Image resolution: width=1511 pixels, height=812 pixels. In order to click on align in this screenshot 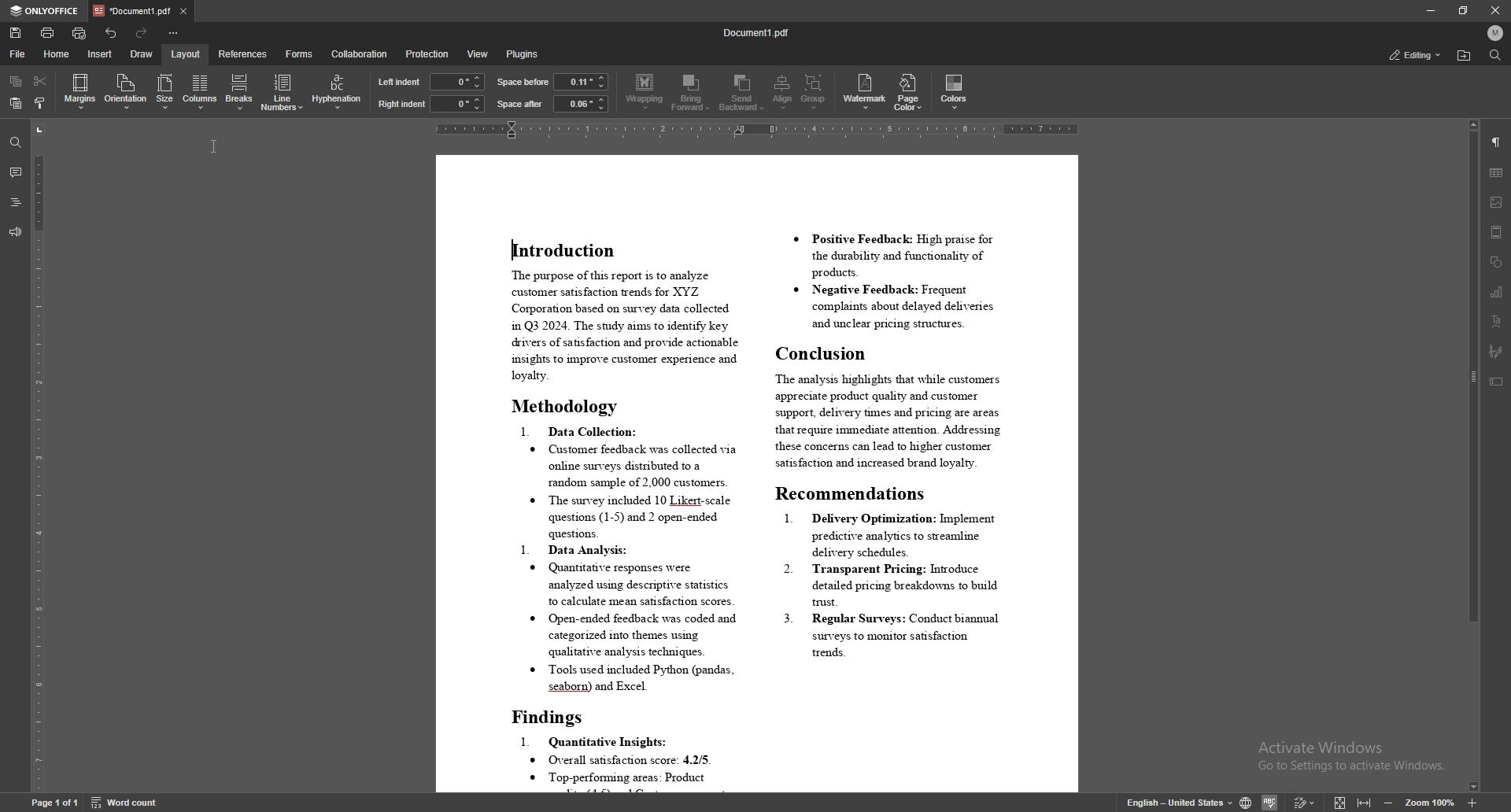, I will do `click(782, 92)`.